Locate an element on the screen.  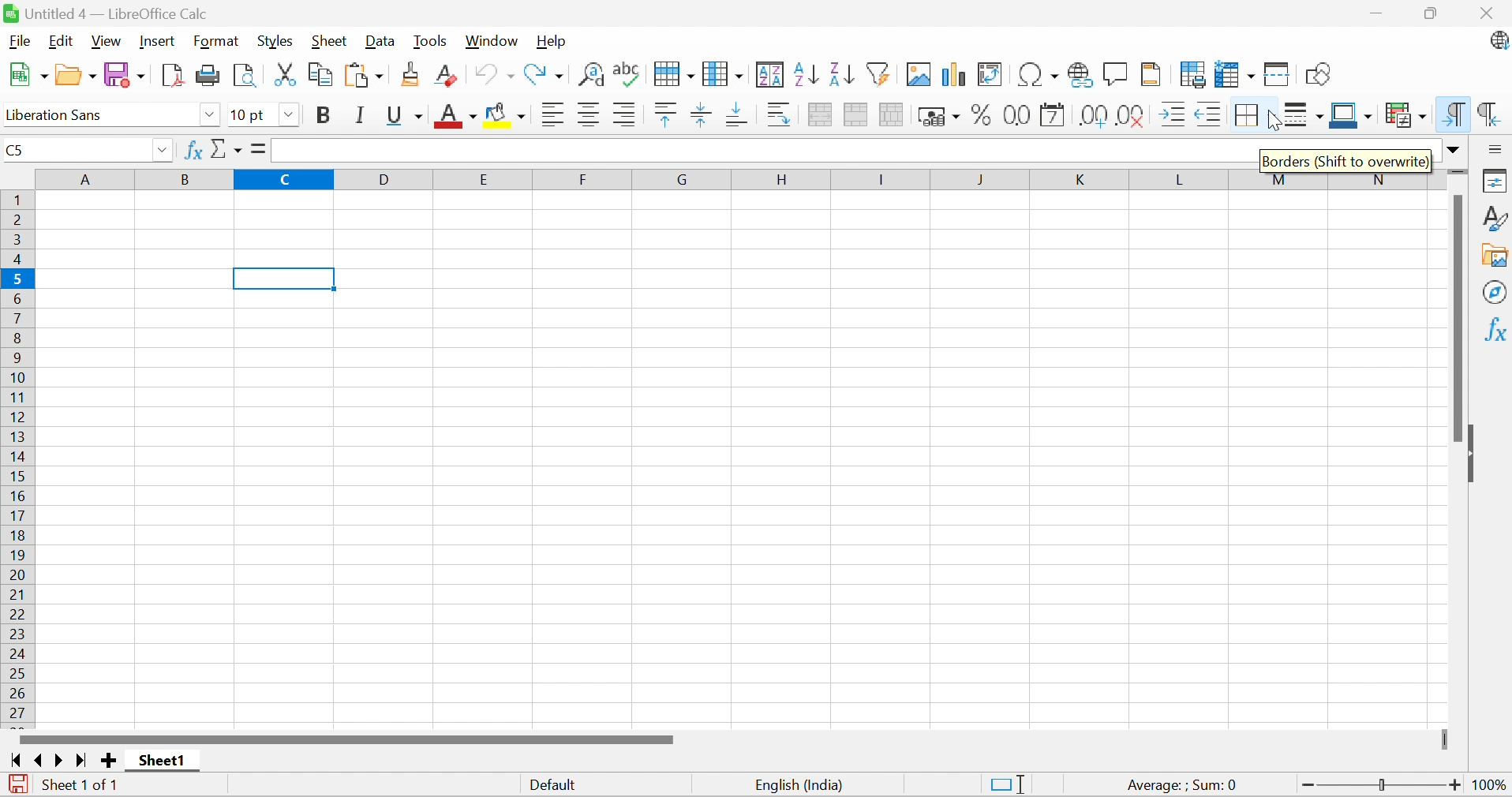
Freeze Rows and Columns is located at coordinates (1236, 74).